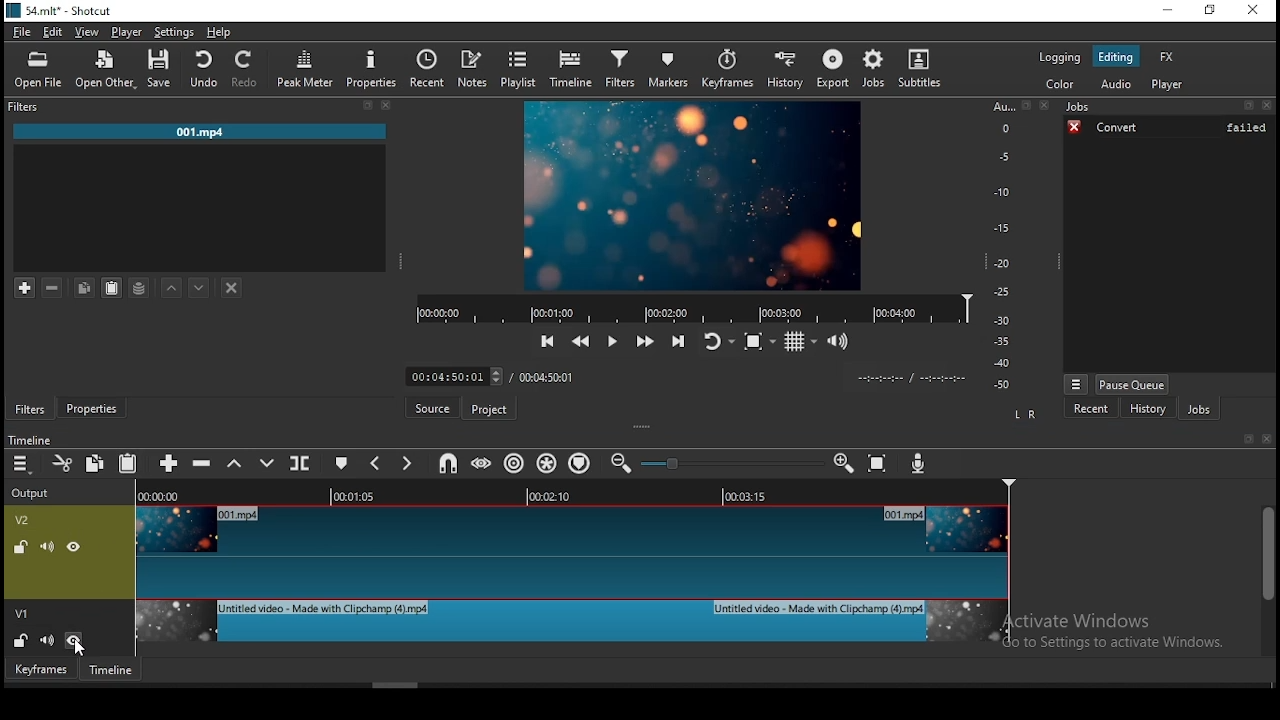  What do you see at coordinates (74, 547) in the screenshot?
I see `hide/unhide` at bounding box center [74, 547].